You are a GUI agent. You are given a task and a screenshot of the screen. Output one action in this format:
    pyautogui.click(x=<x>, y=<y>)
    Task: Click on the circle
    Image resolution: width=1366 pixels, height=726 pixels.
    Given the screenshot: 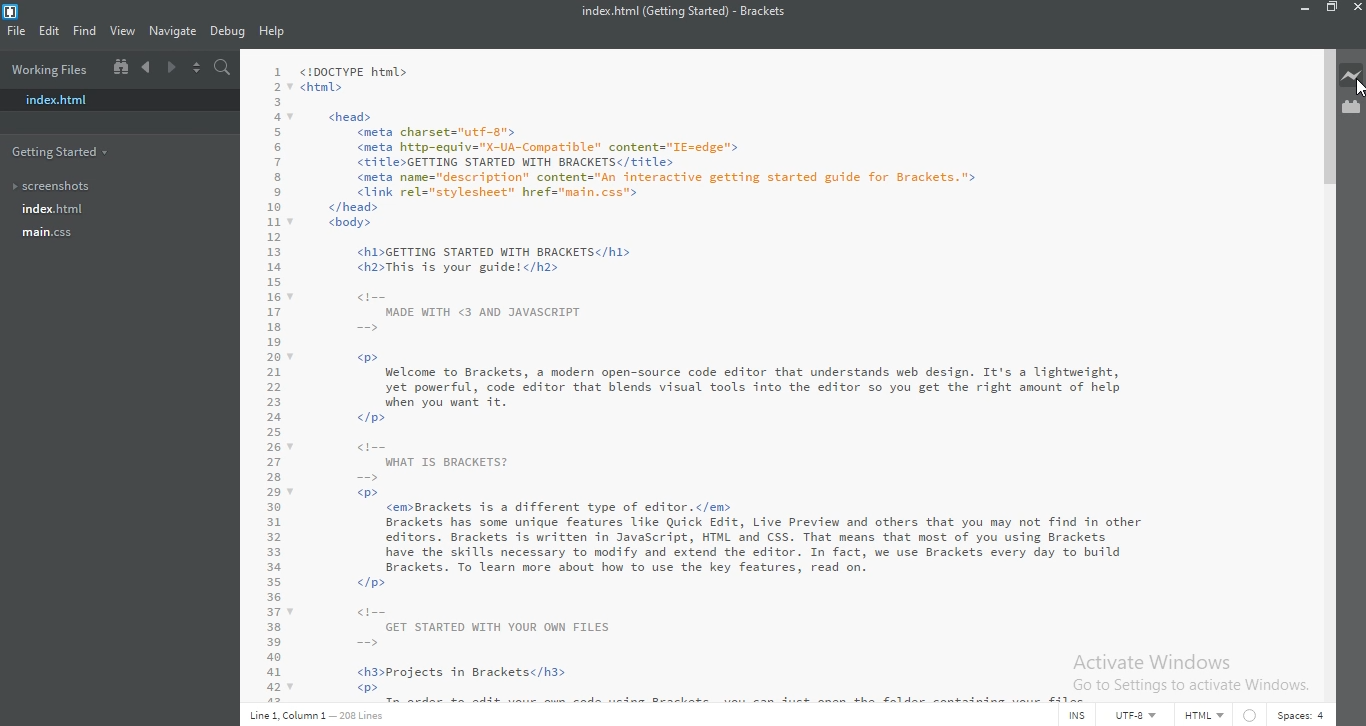 What is the action you would take?
    pyautogui.click(x=1251, y=716)
    